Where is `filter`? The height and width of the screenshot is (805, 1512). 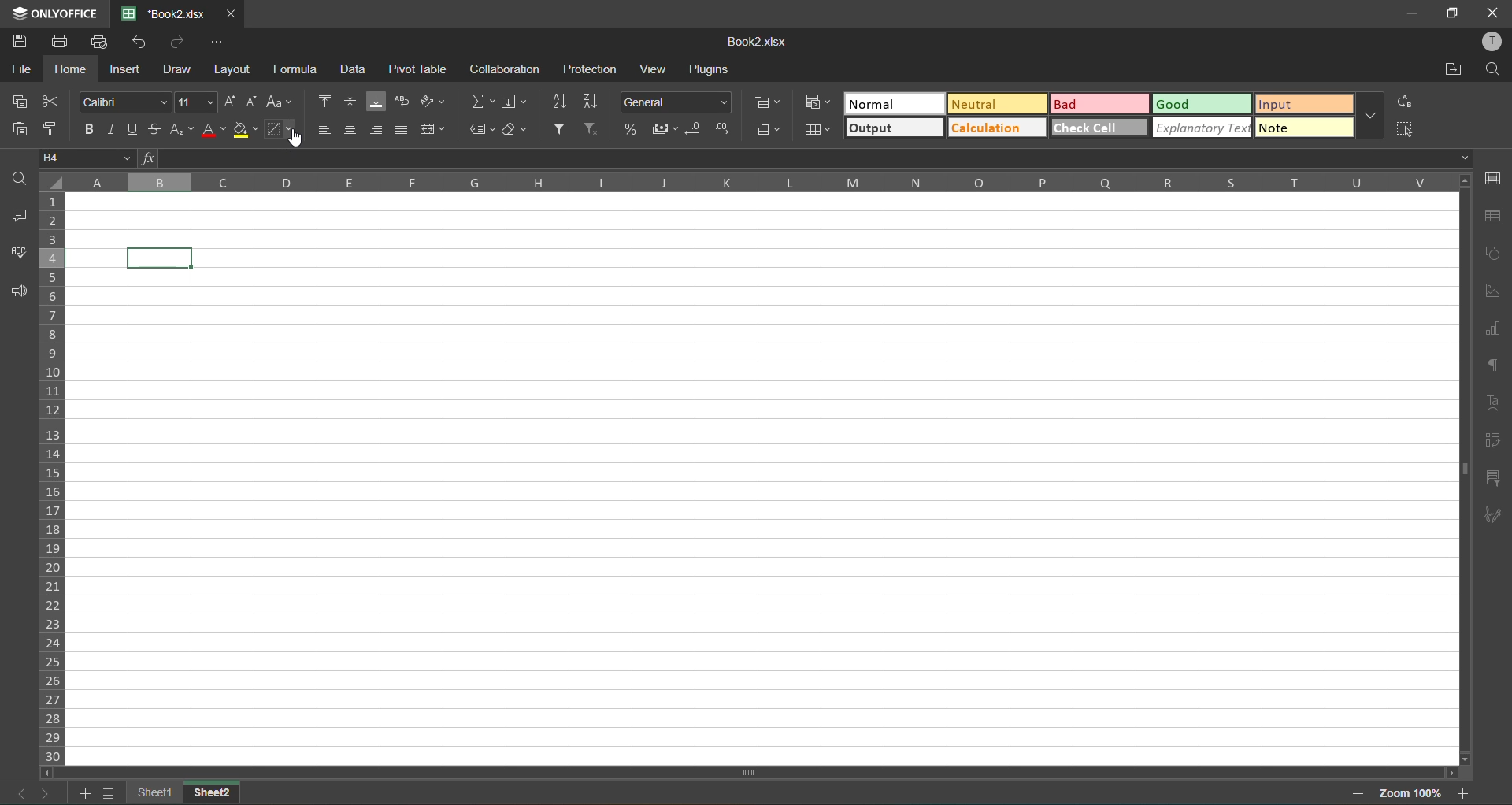 filter is located at coordinates (558, 128).